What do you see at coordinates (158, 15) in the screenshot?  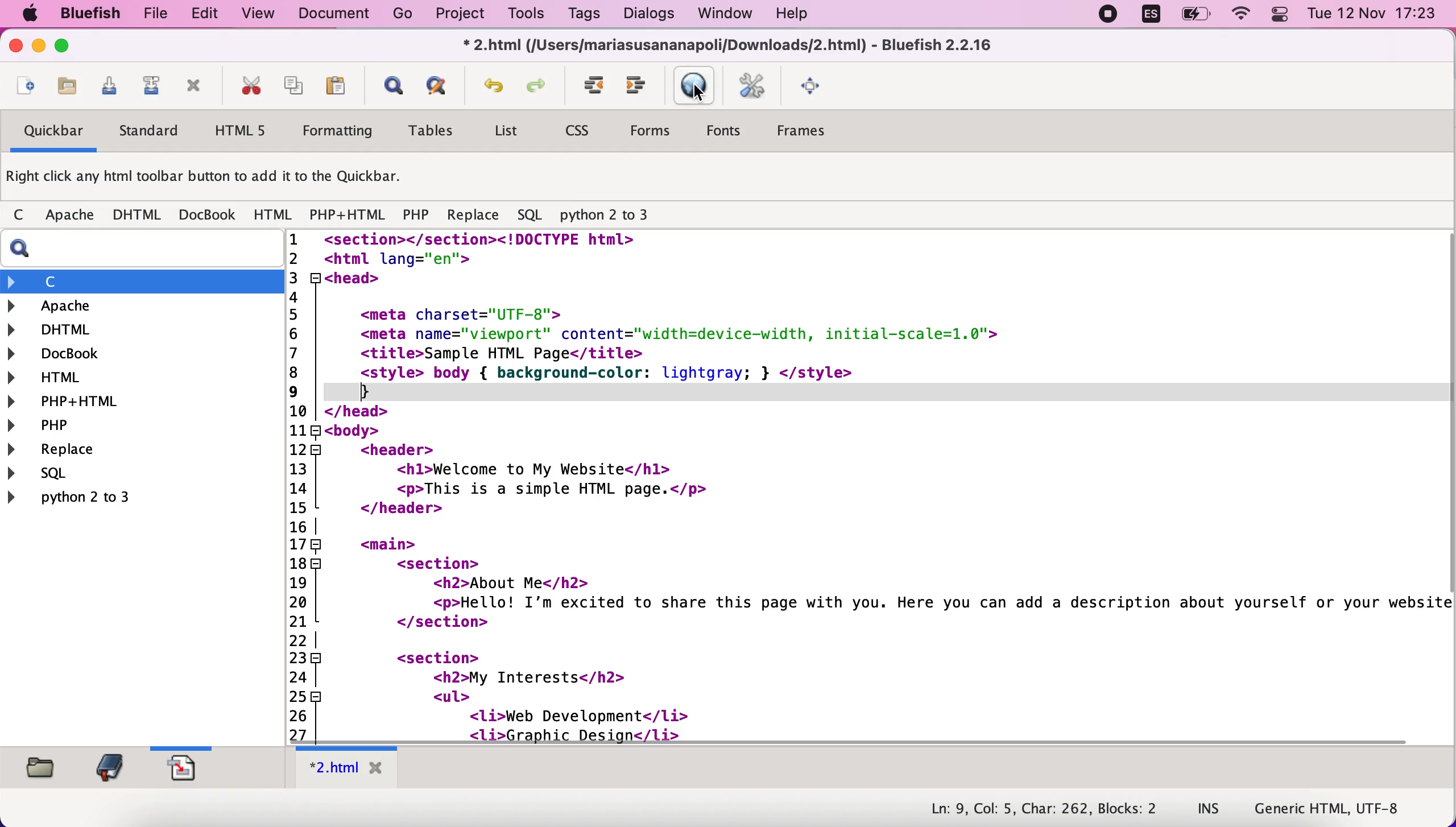 I see `file` at bounding box center [158, 15].